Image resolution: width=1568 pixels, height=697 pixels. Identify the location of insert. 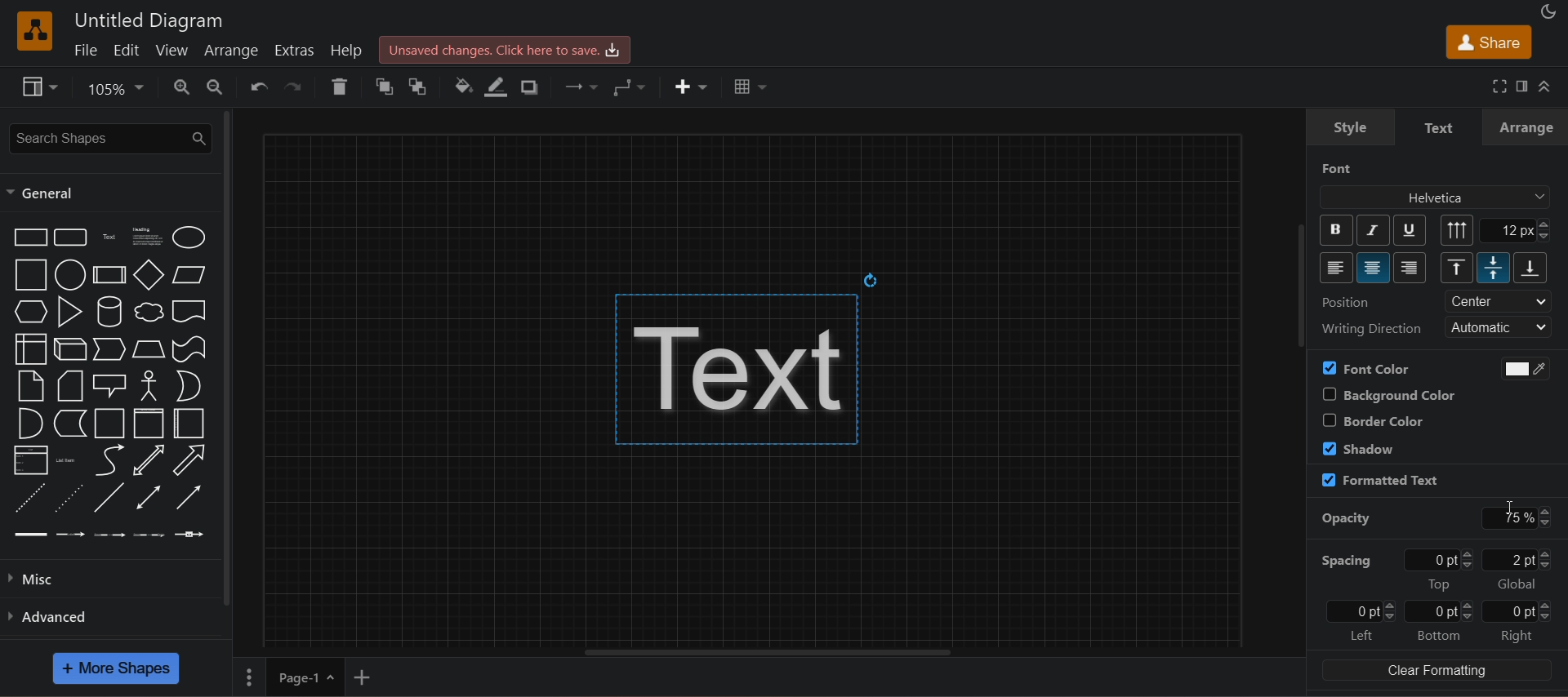
(691, 87).